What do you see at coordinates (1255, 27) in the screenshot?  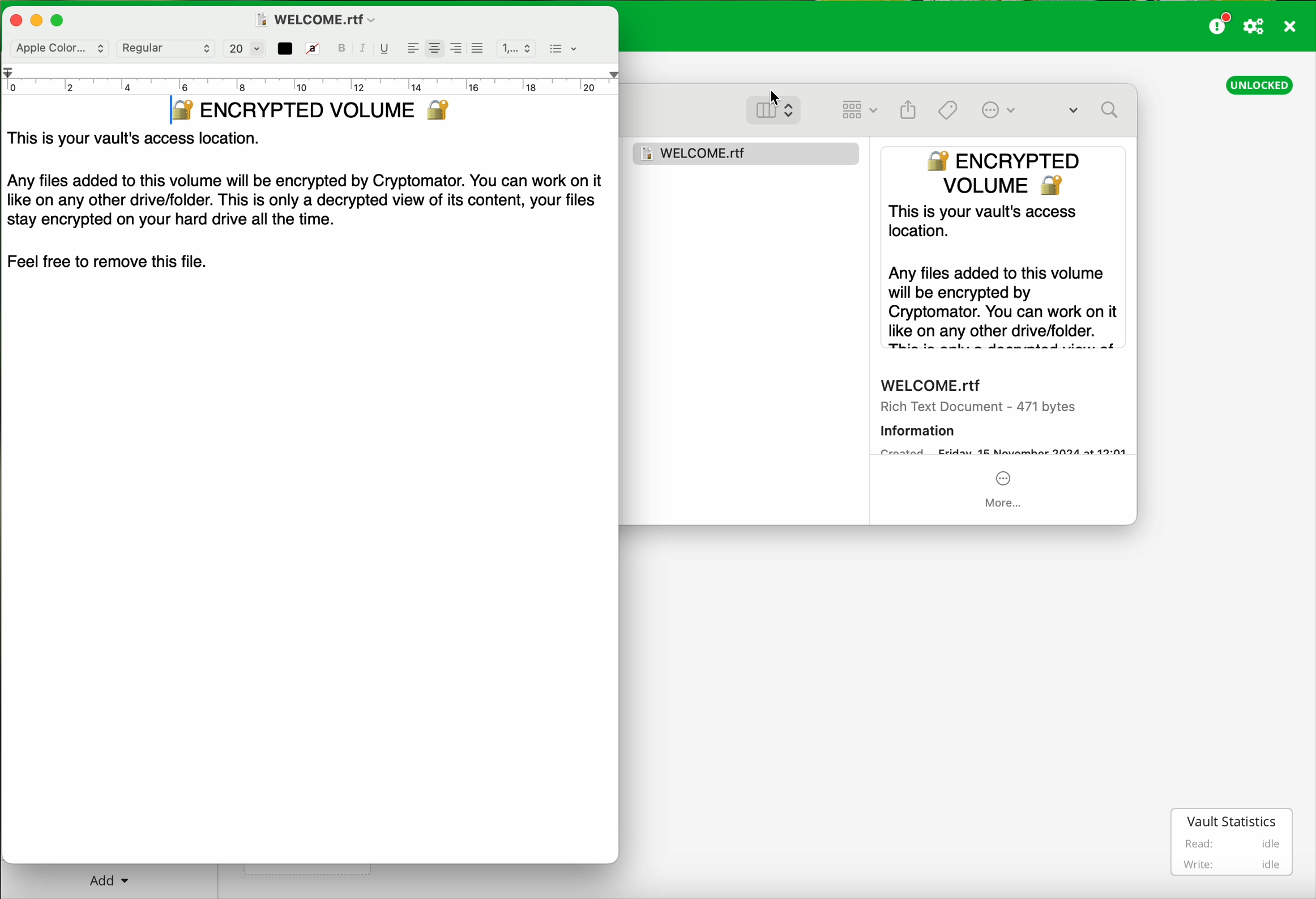 I see `preferences` at bounding box center [1255, 27].